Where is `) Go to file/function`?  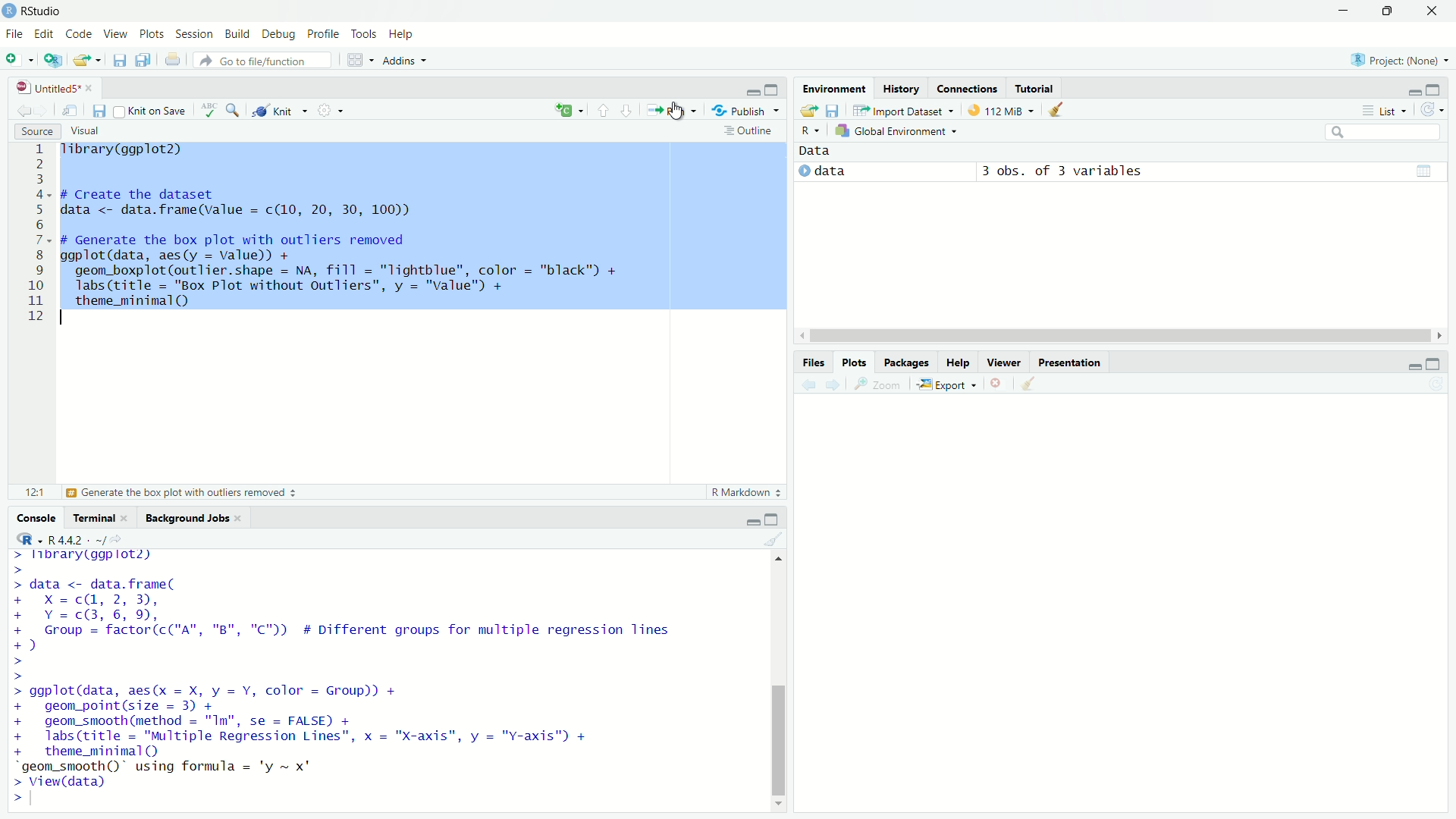 ) Go to file/function is located at coordinates (259, 60).